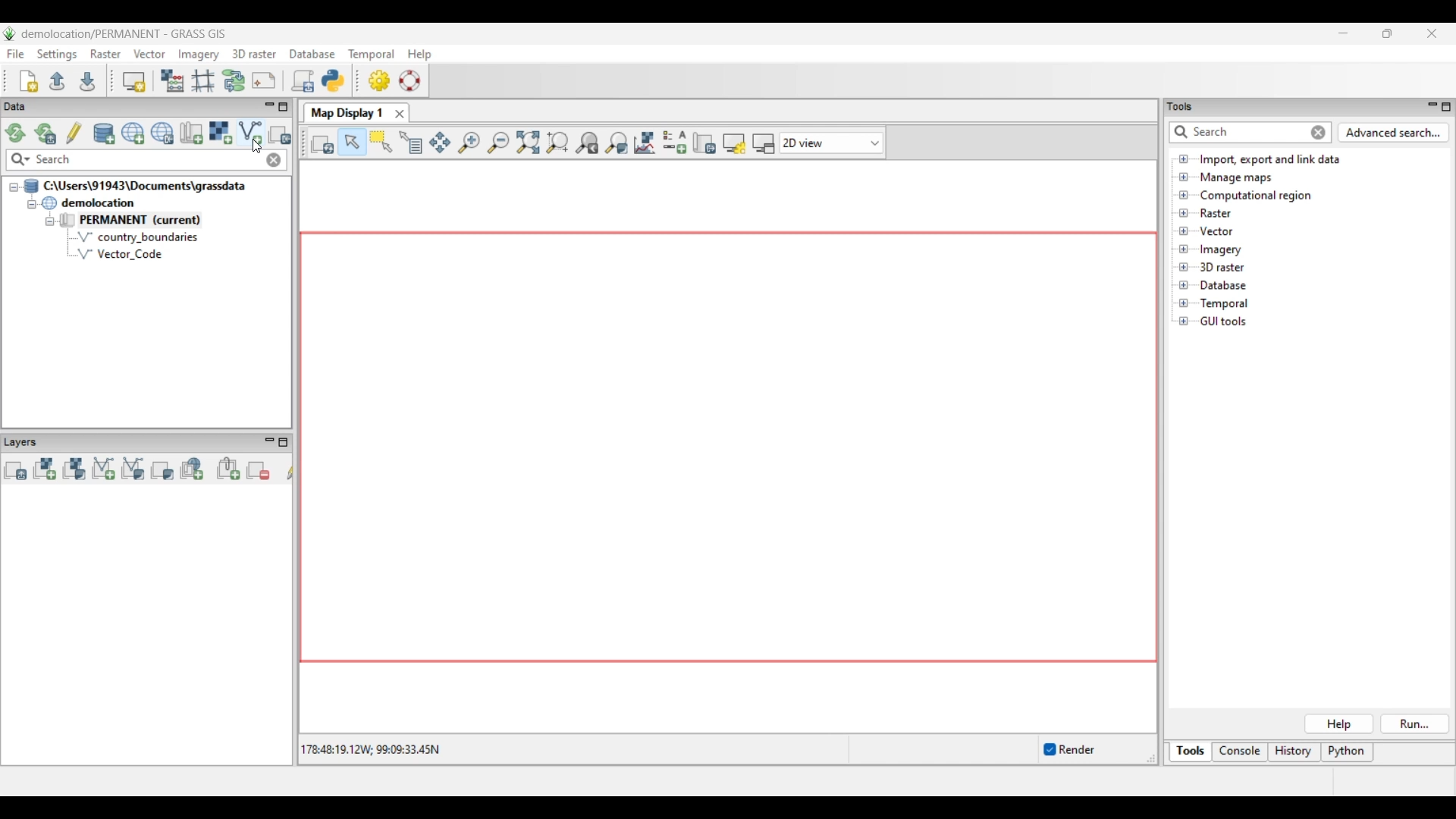  I want to click on Collapse demolition, so click(31, 205).